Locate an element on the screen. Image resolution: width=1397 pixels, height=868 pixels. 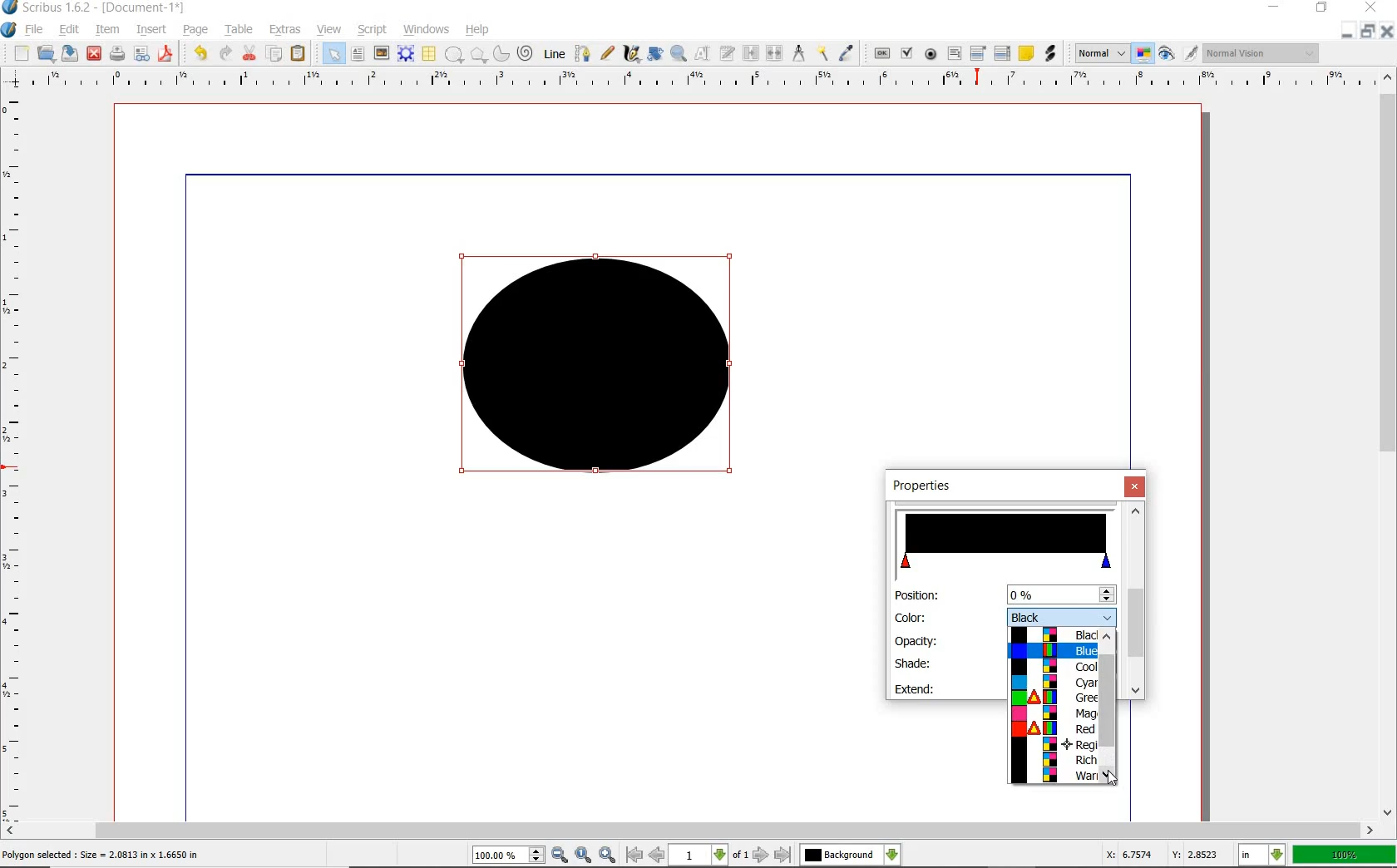
extend is located at coordinates (916, 688).